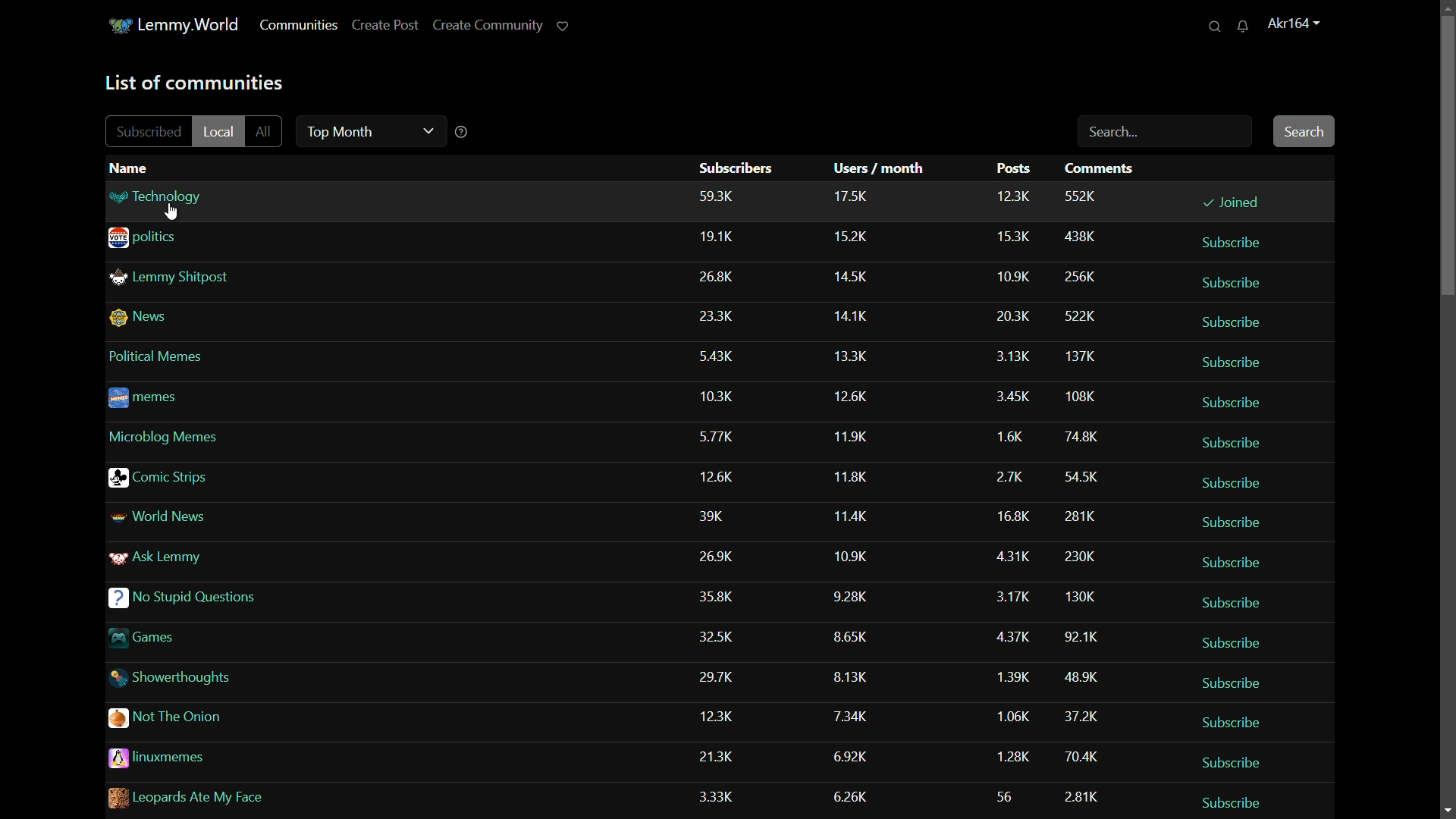  What do you see at coordinates (119, 27) in the screenshot?
I see `app icon` at bounding box center [119, 27].